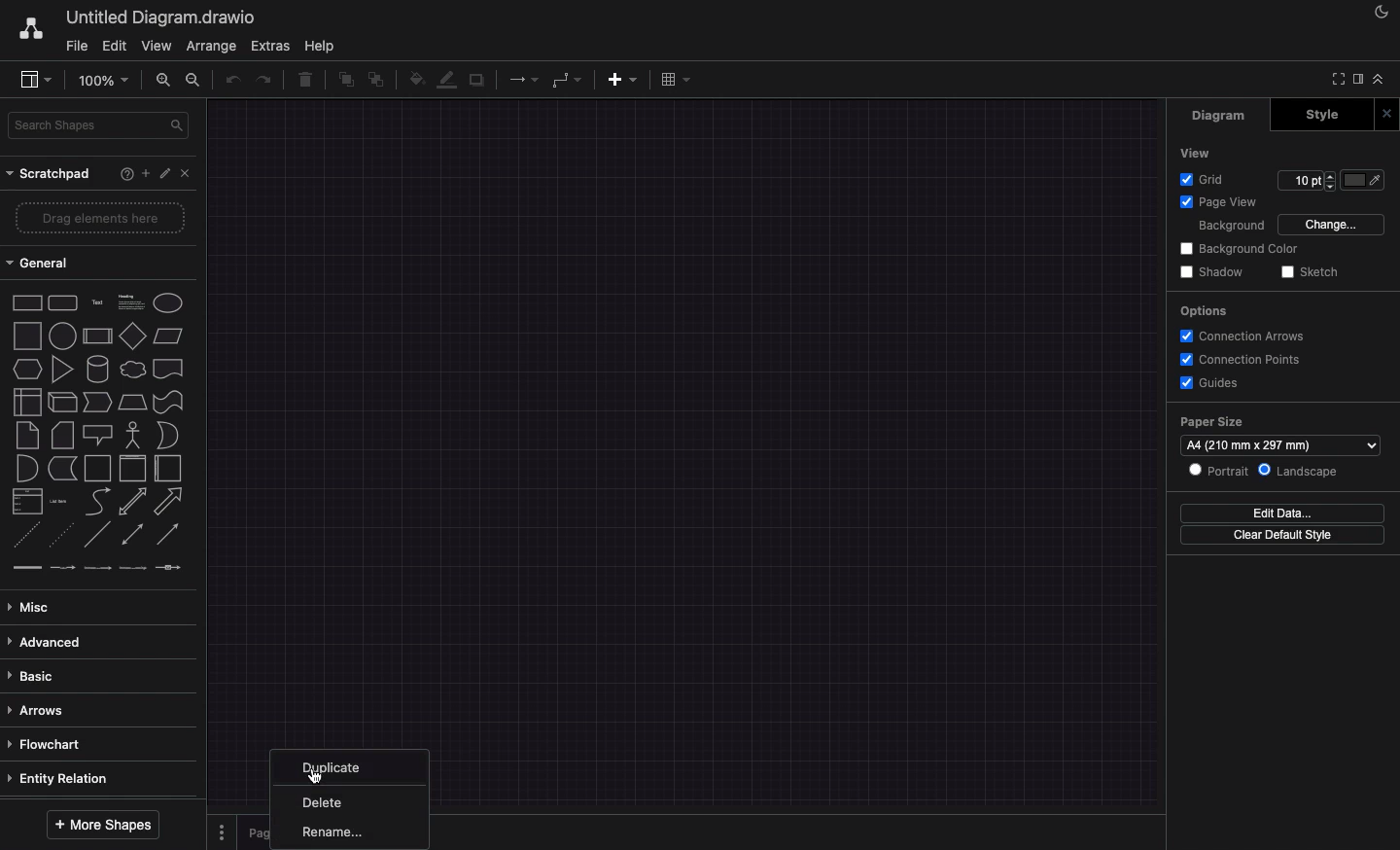 The height and width of the screenshot is (850, 1400). Describe the element at coordinates (1282, 535) in the screenshot. I see `clear default style` at that location.